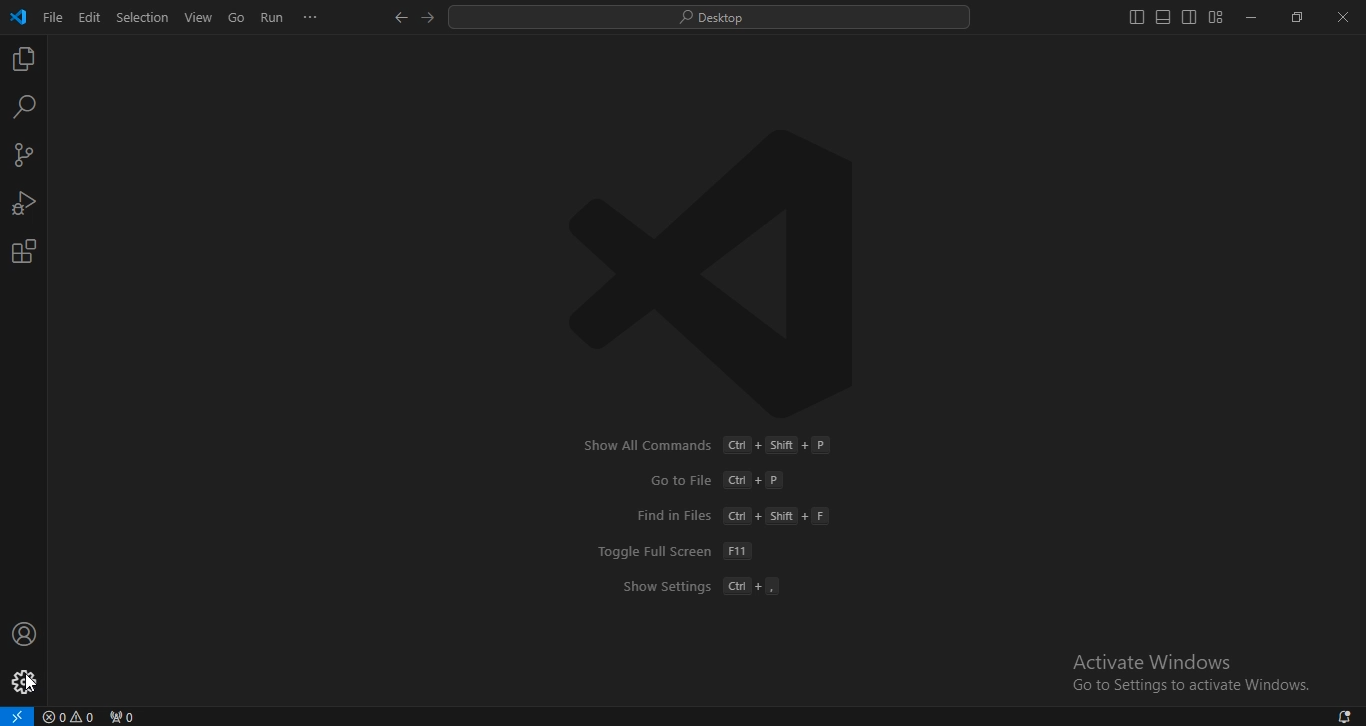  Describe the element at coordinates (702, 588) in the screenshot. I see `text` at that location.